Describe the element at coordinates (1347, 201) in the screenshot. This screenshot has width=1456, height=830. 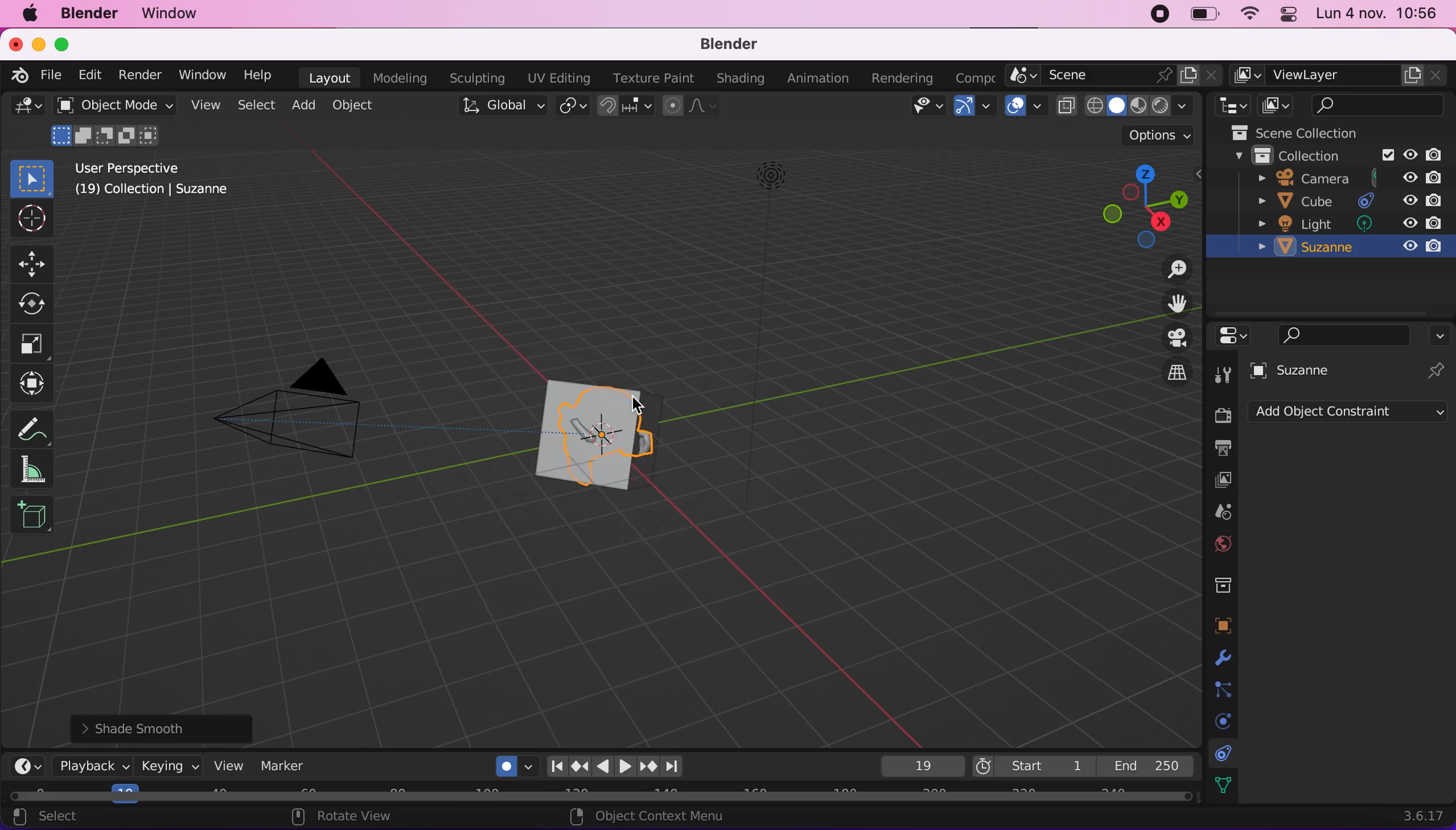
I see `cube` at that location.